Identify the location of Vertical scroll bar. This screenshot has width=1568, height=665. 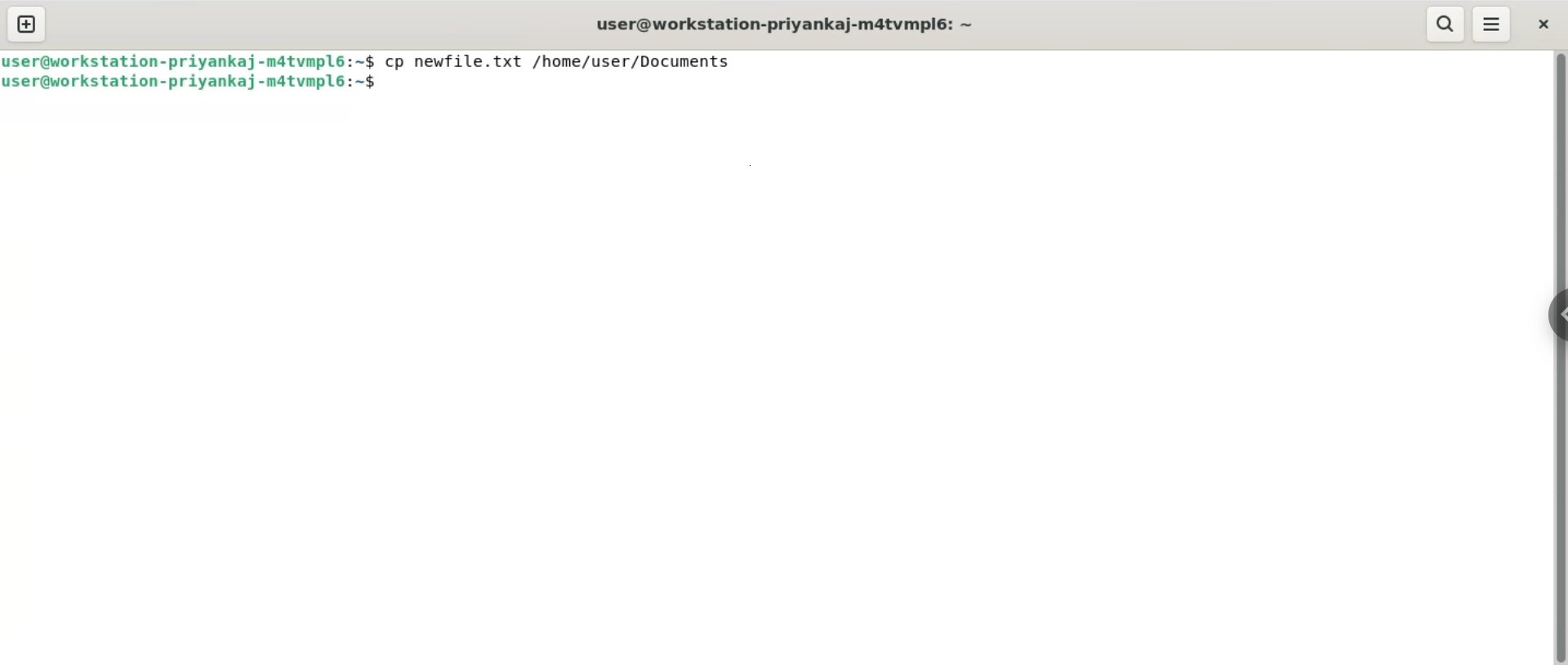
(1558, 358).